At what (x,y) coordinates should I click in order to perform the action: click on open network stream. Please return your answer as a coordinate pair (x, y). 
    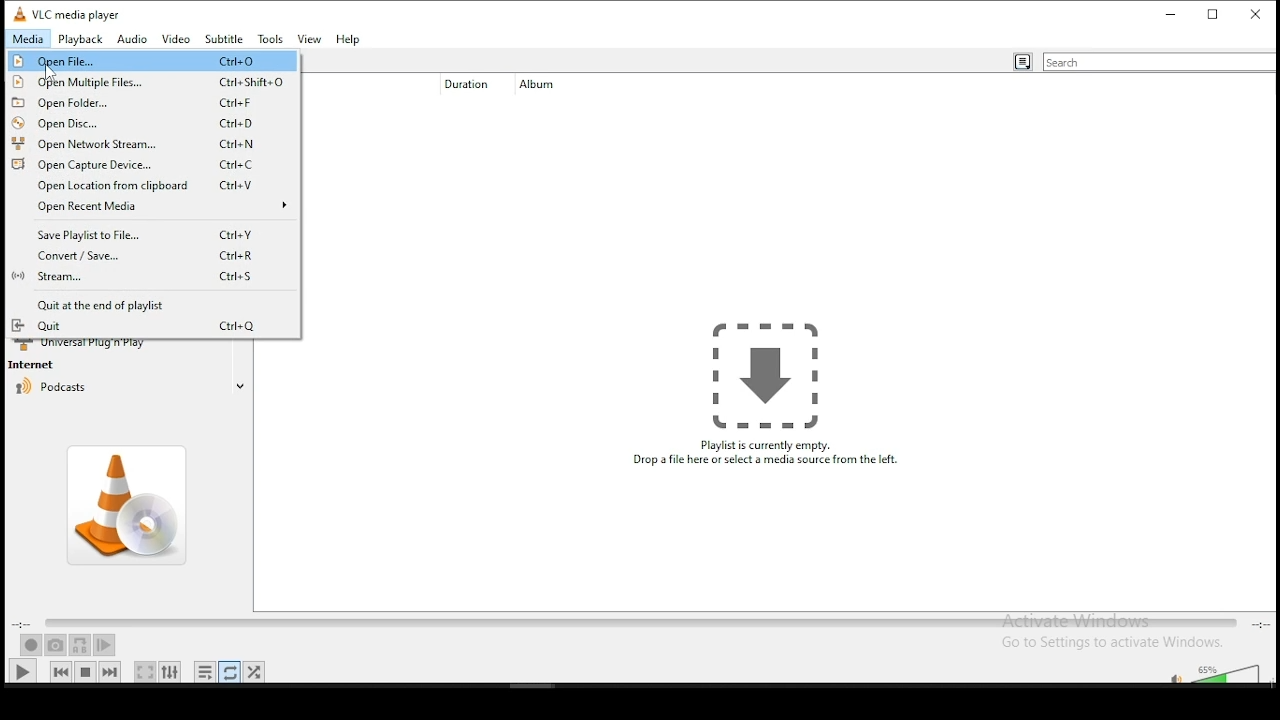
    Looking at the image, I should click on (156, 143).